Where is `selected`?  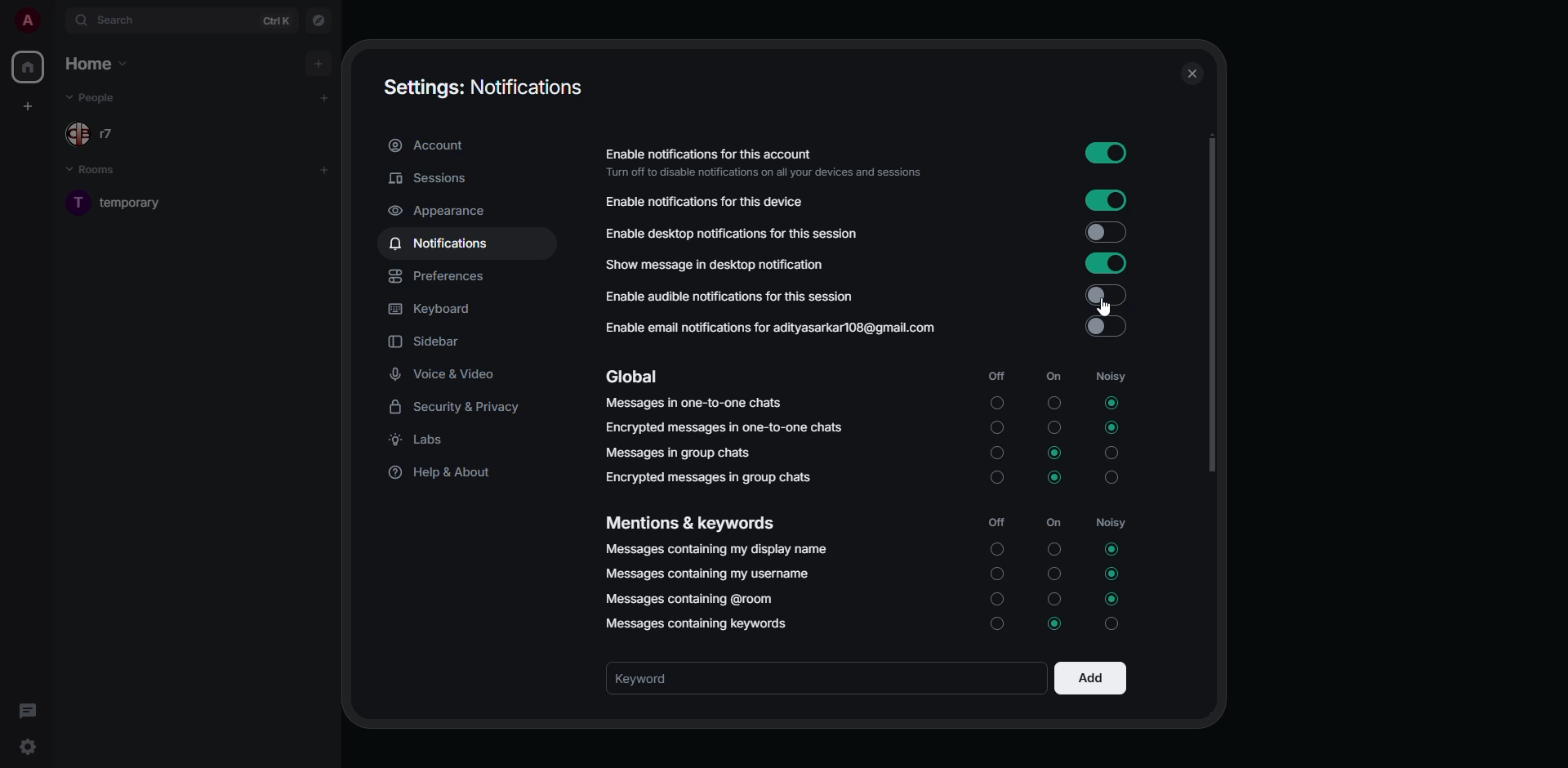 selected is located at coordinates (1057, 453).